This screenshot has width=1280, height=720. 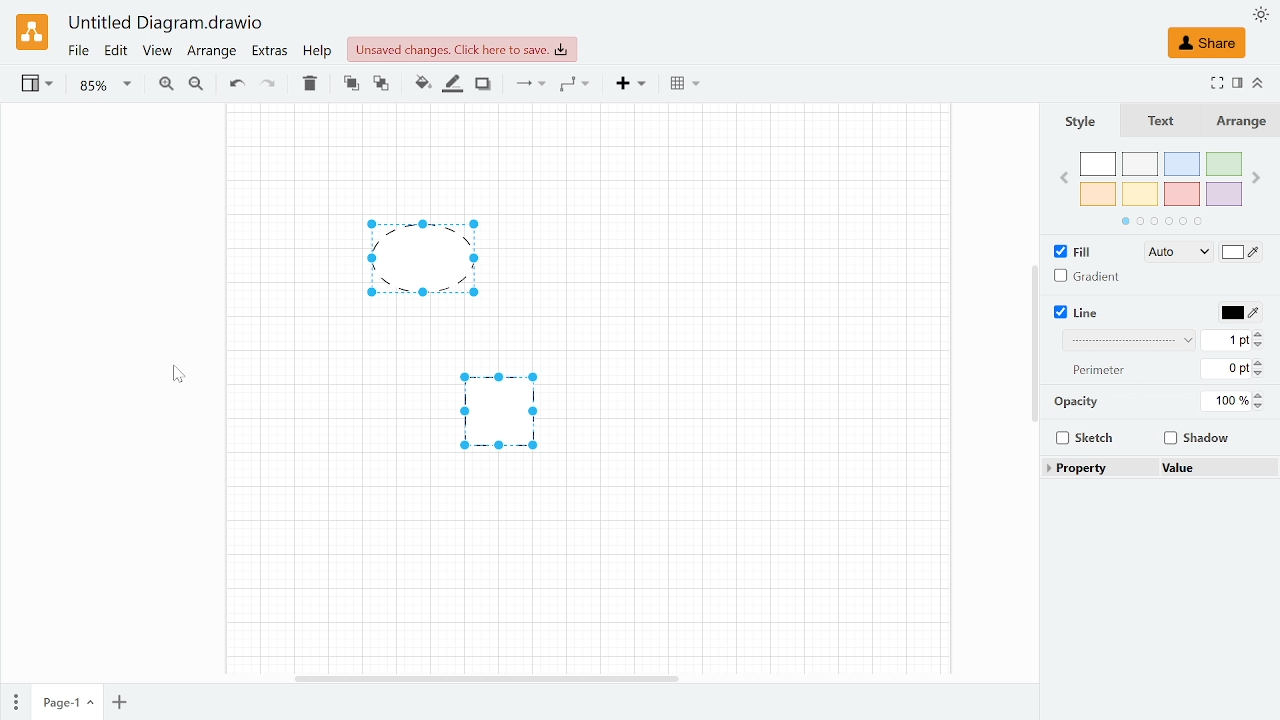 I want to click on Opacity, so click(x=1075, y=404).